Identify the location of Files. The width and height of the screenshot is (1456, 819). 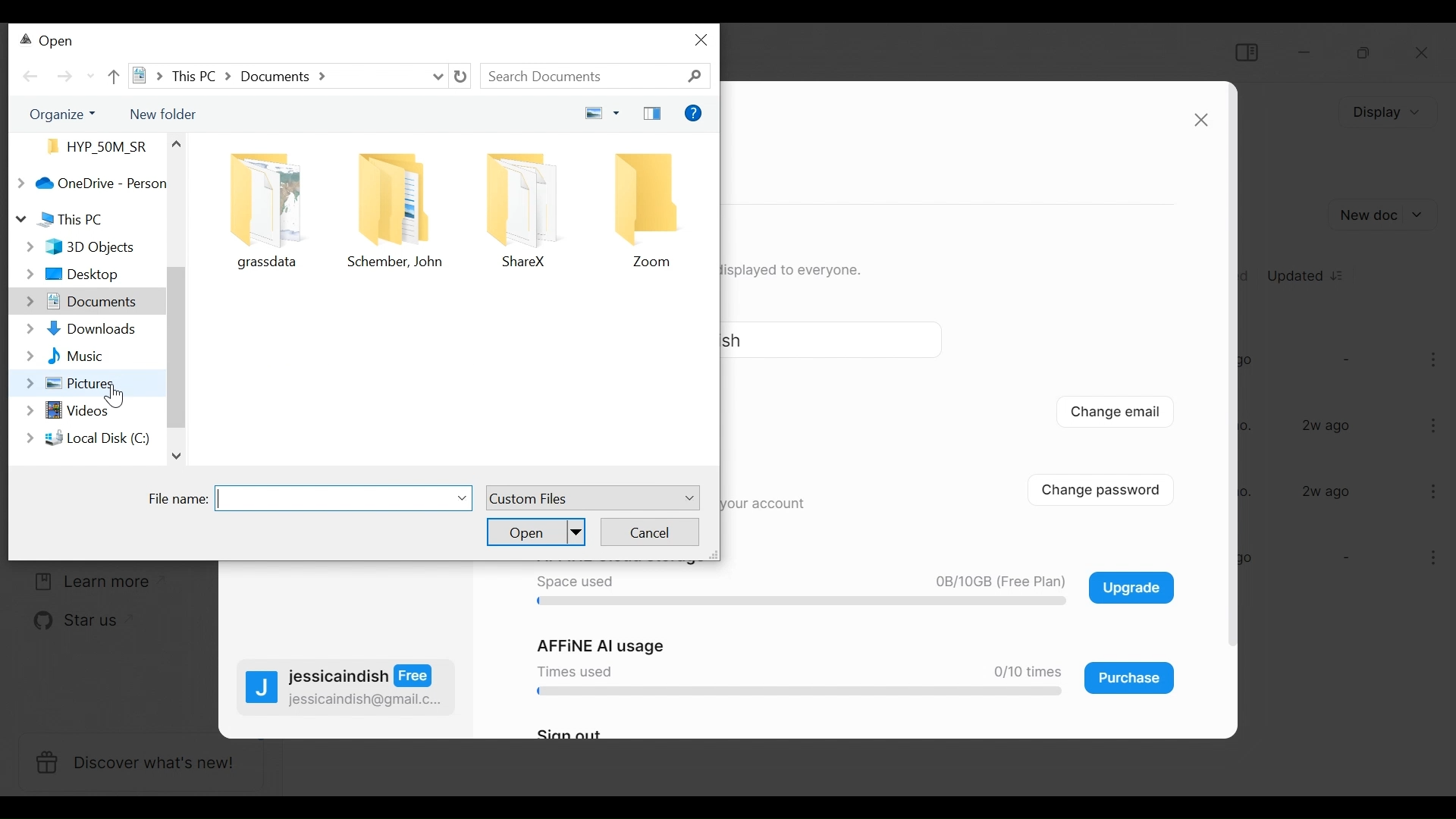
(93, 146).